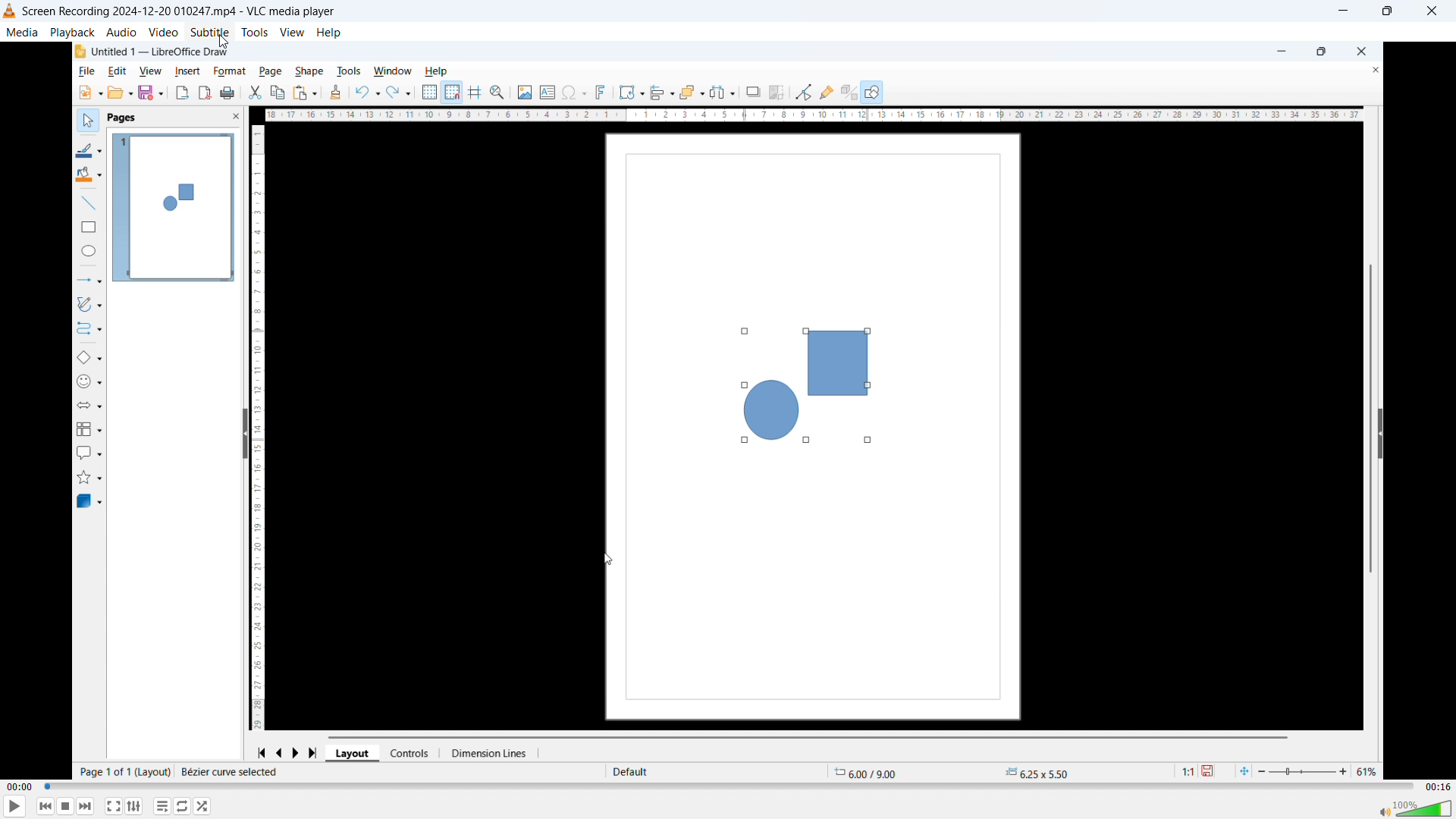 The width and height of the screenshot is (1456, 819). I want to click on shape, so click(312, 68).